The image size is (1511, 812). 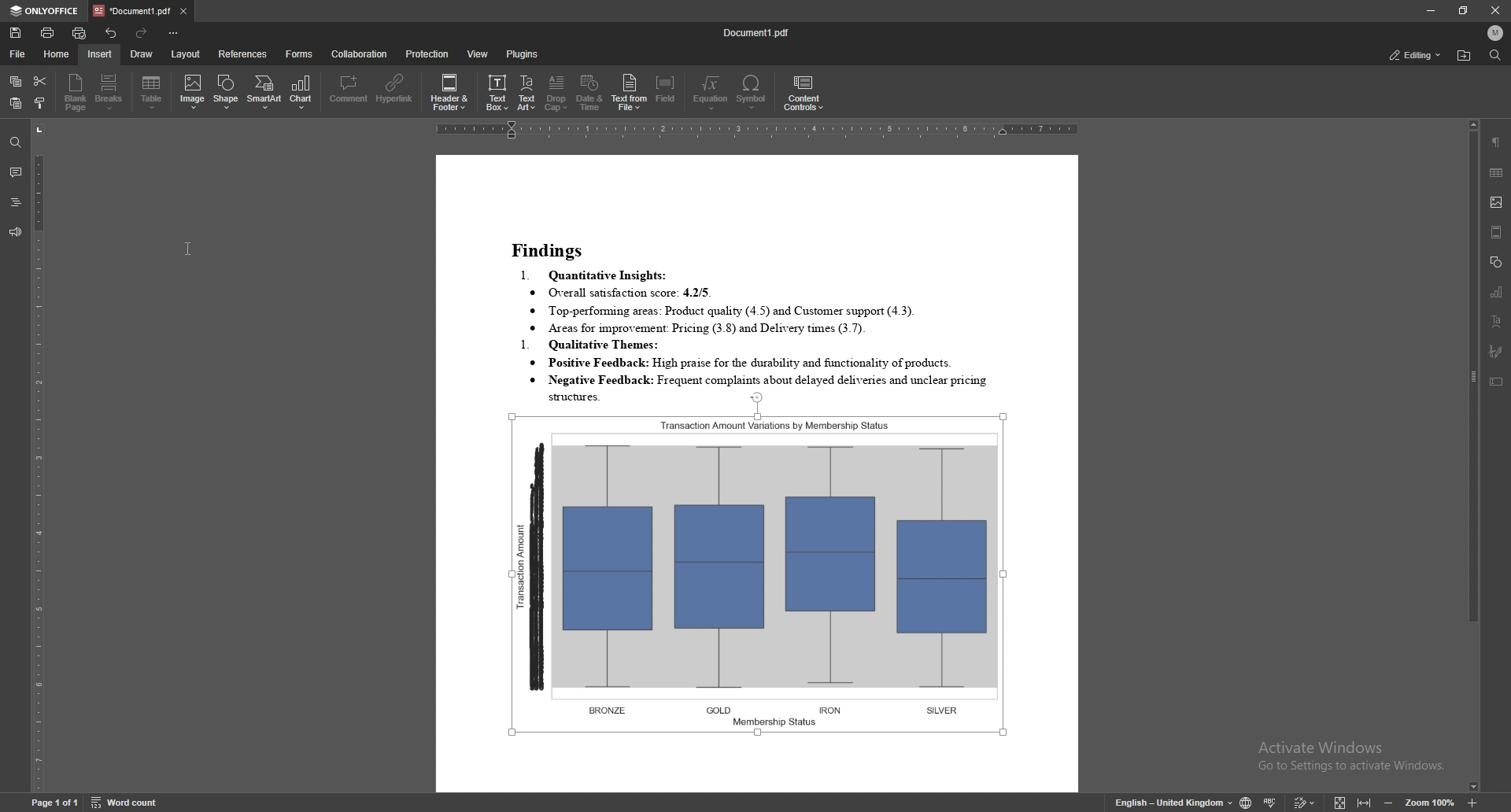 I want to click on profile, so click(x=1495, y=32).